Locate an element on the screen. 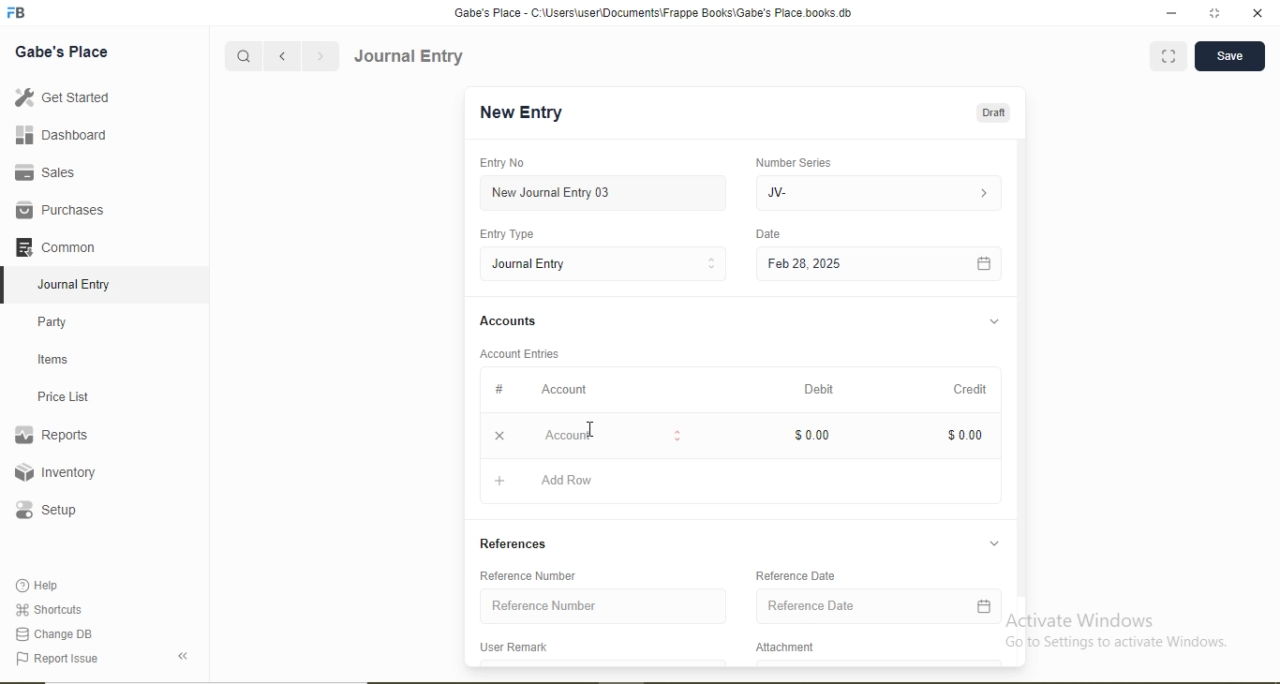  Shortcuts is located at coordinates (47, 609).